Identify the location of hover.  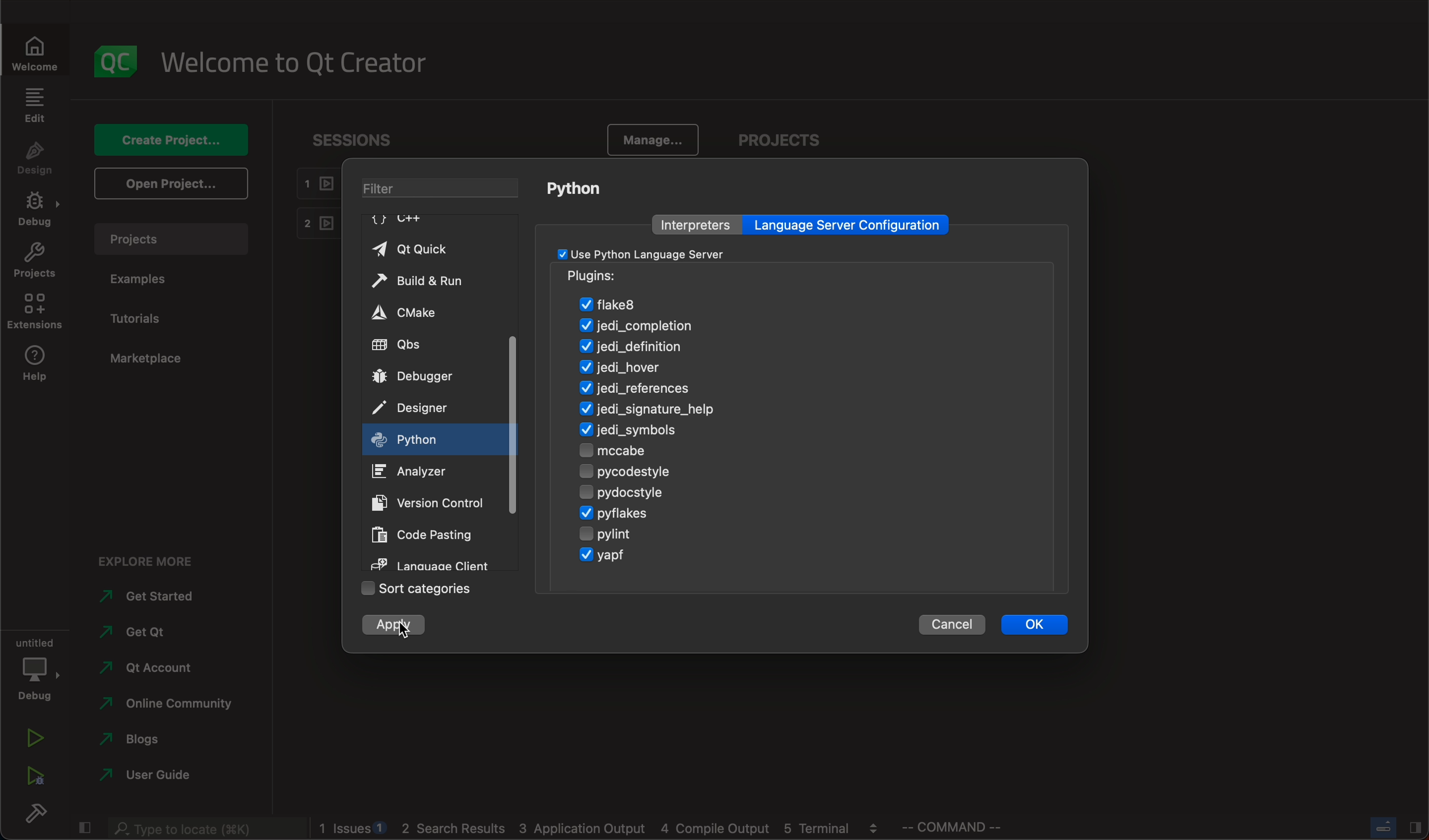
(635, 366).